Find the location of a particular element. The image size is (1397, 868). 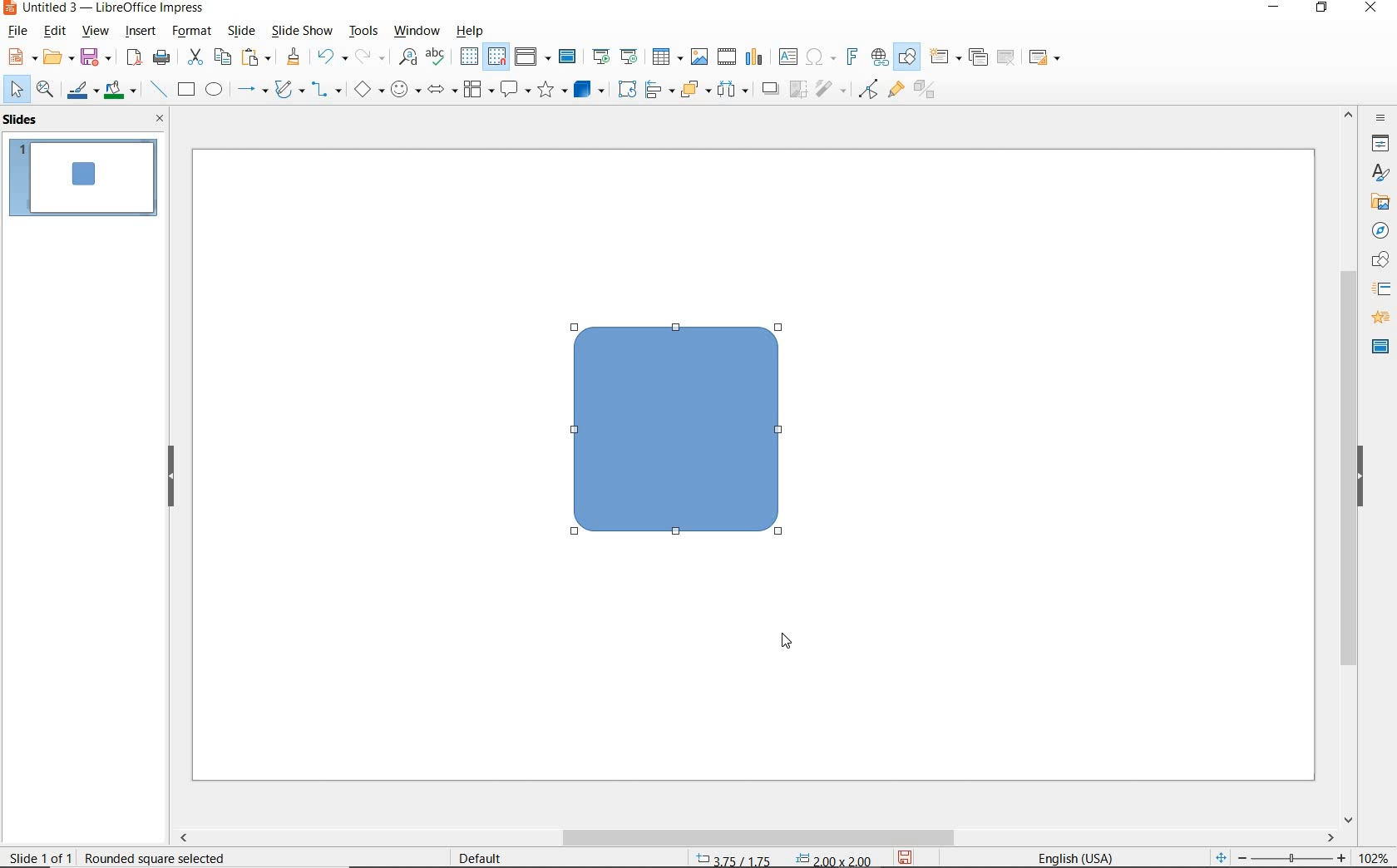

cursor is located at coordinates (789, 643).